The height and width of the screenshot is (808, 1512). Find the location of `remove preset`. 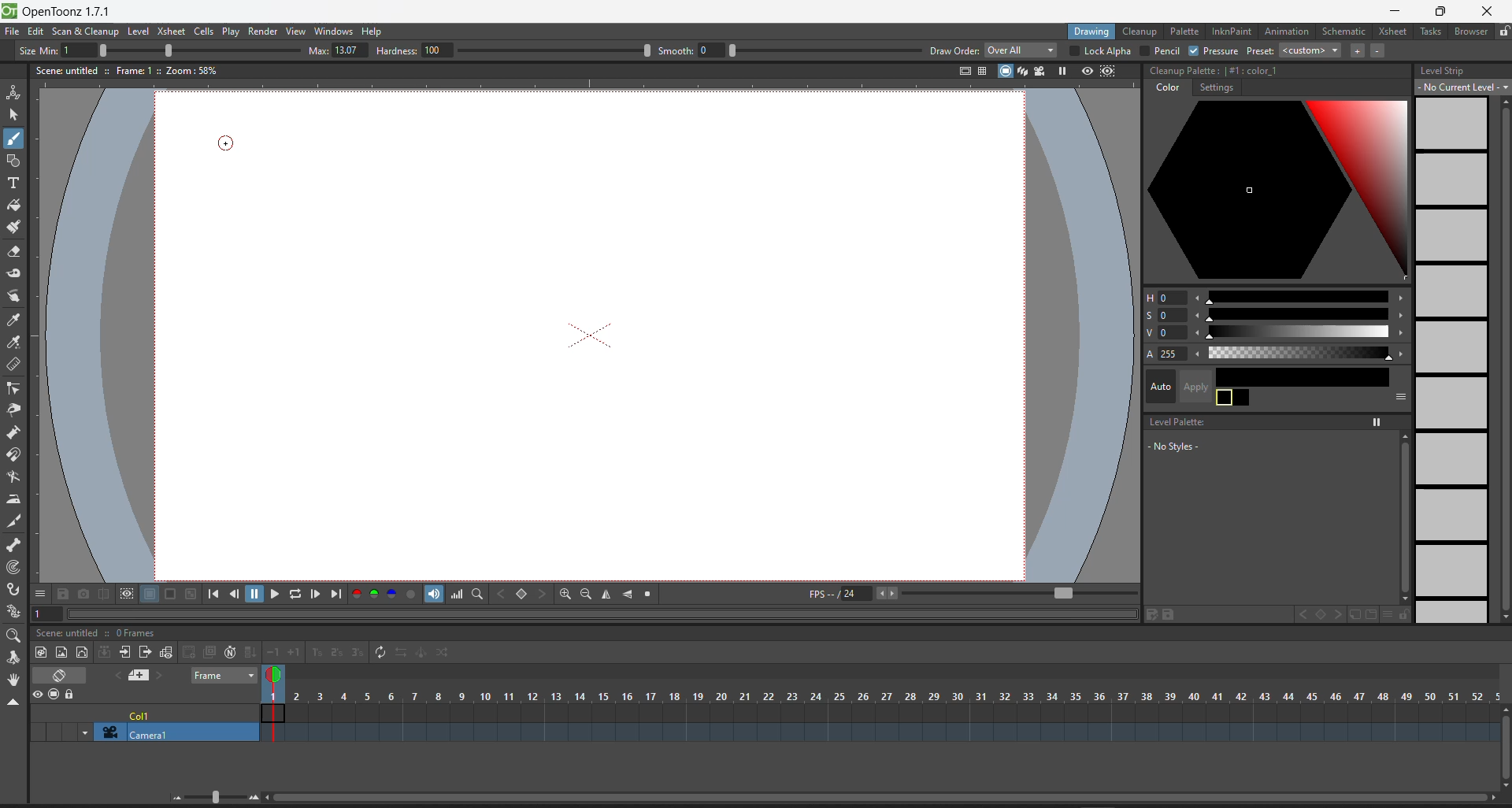

remove preset is located at coordinates (1380, 51).